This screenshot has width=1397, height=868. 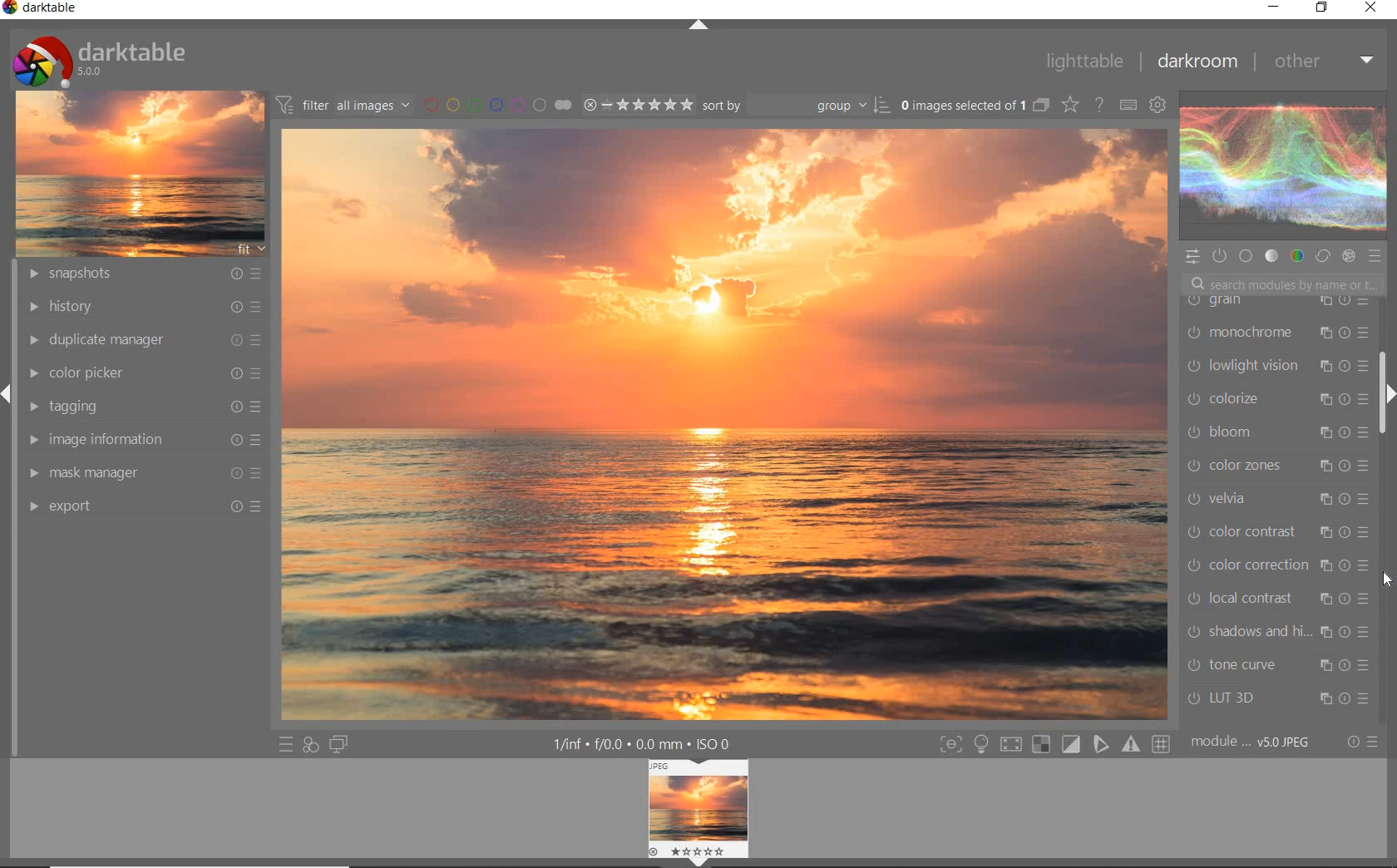 What do you see at coordinates (1387, 396) in the screenshot?
I see `EXPAND/COLLAPSE` at bounding box center [1387, 396].